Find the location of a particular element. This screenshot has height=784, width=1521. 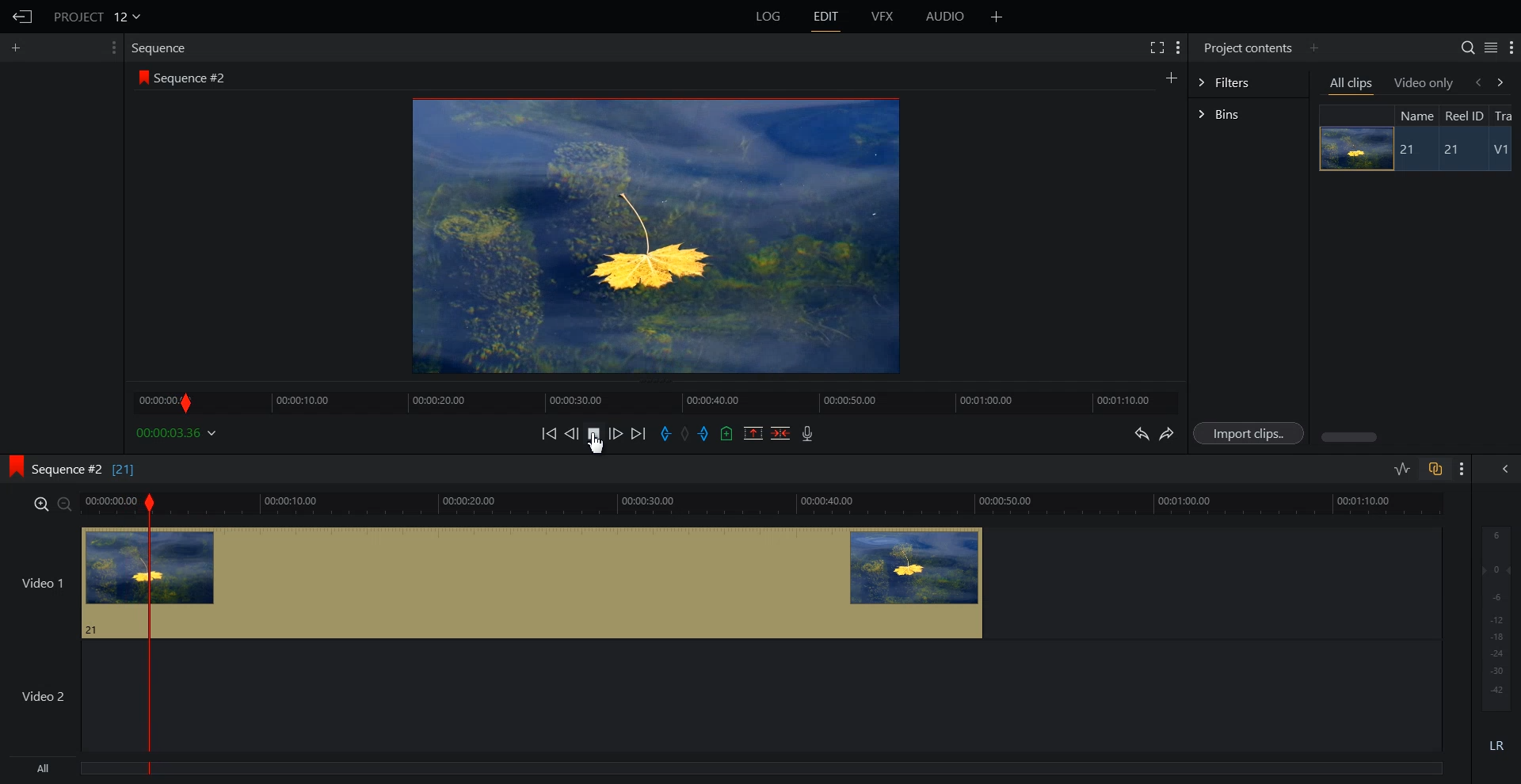

Bins is located at coordinates (1248, 116).